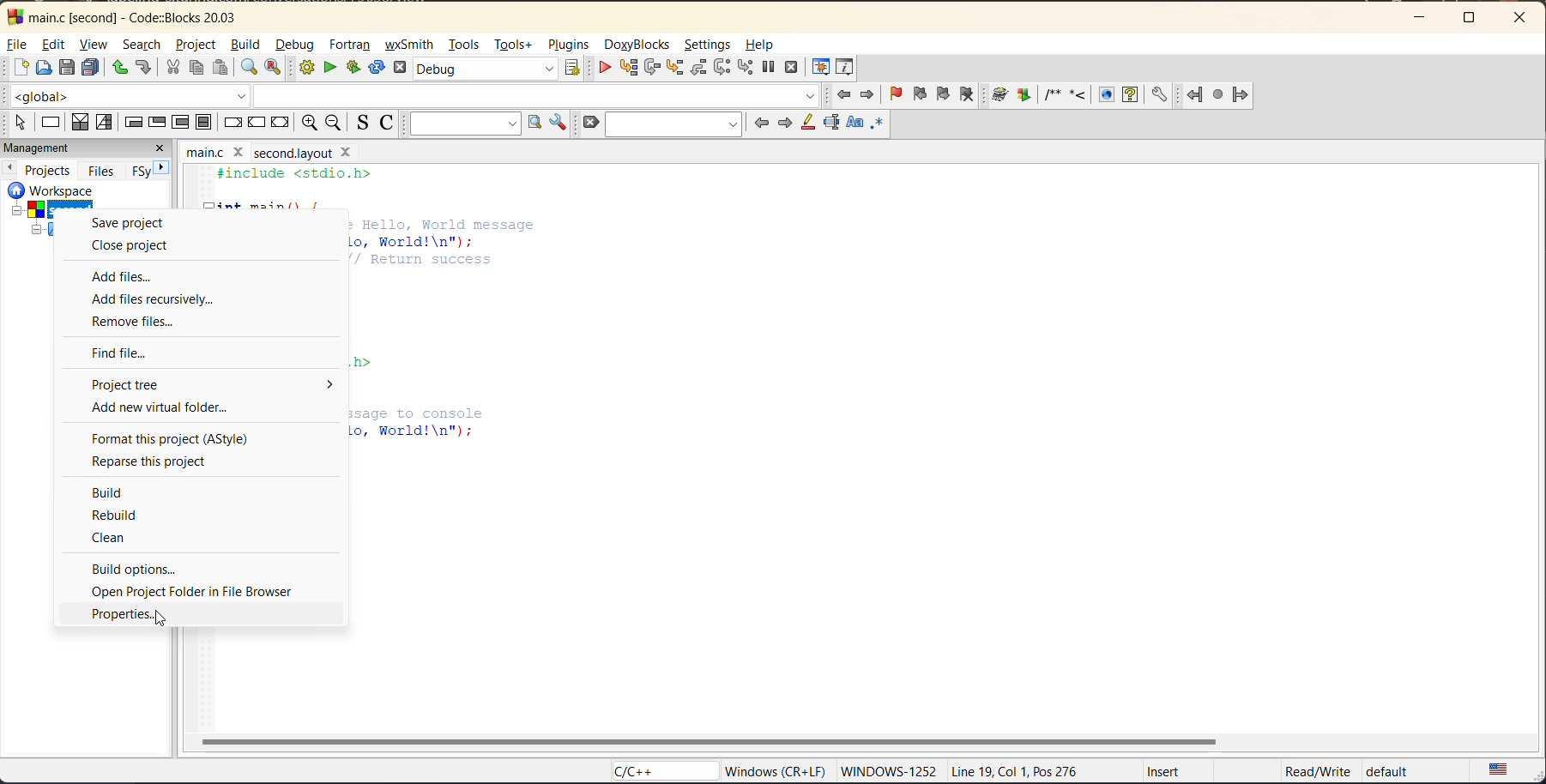 This screenshot has height=784, width=1546. Describe the element at coordinates (154, 171) in the screenshot. I see `next` at that location.